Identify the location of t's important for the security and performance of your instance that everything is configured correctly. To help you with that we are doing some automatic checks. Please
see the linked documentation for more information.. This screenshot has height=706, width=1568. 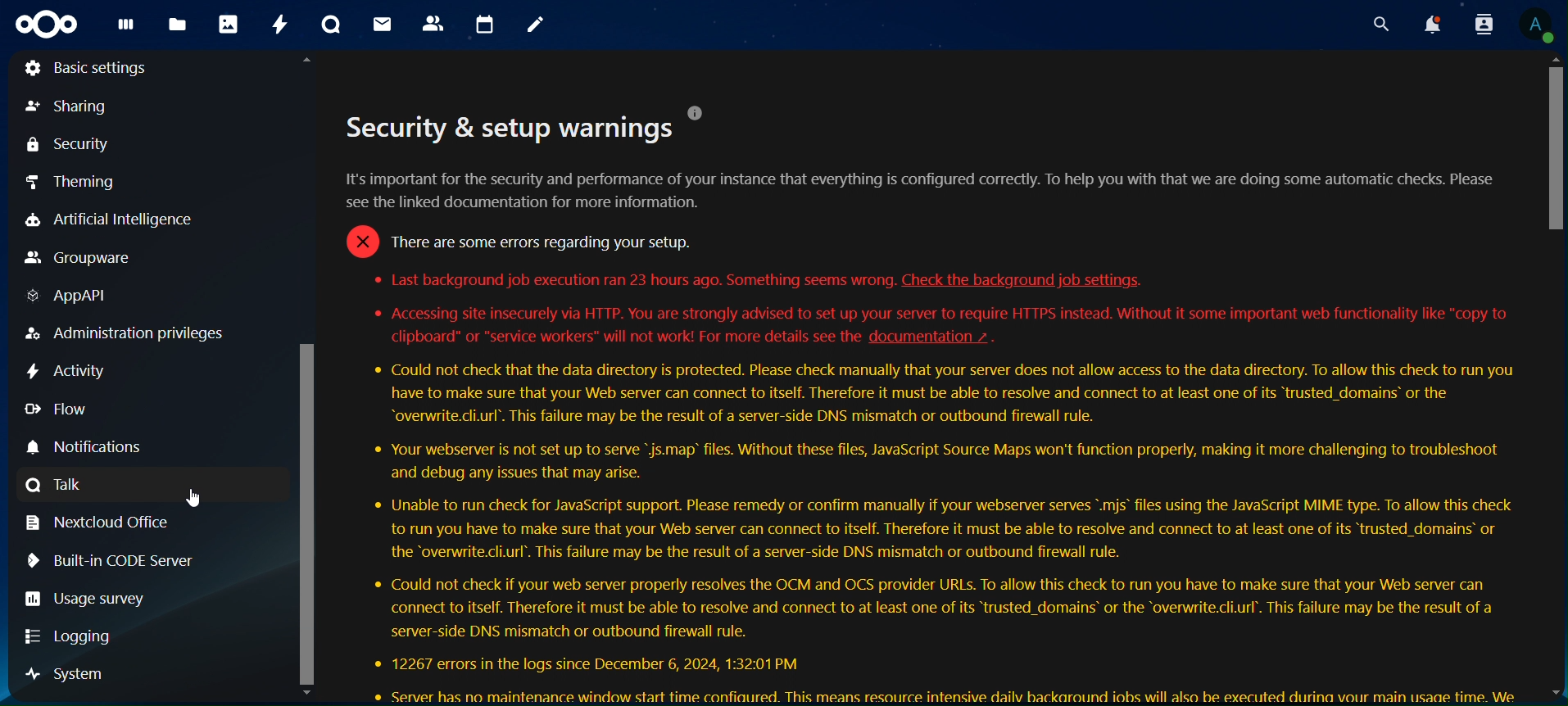
(928, 191).